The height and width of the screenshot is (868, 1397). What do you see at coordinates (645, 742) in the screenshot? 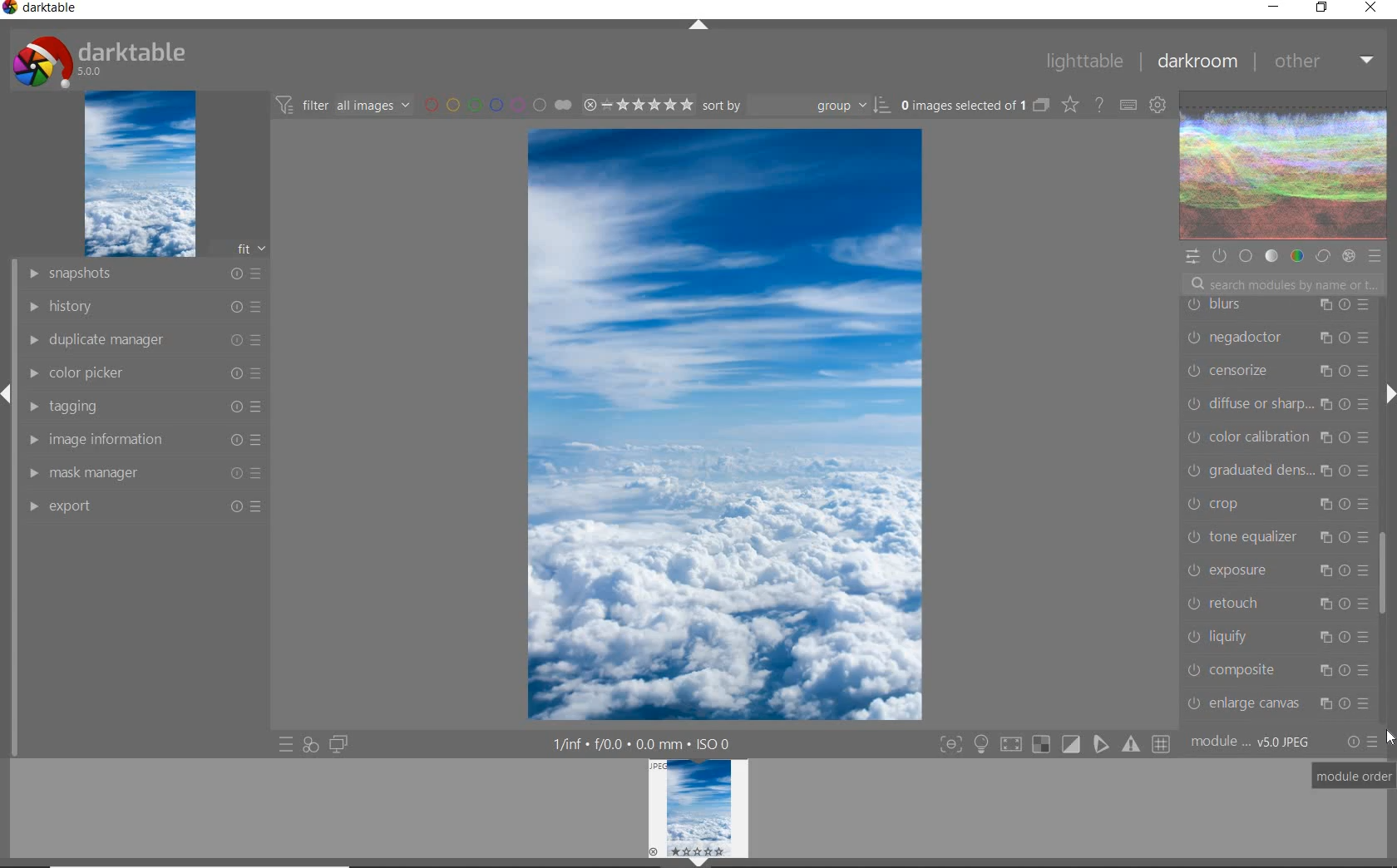
I see `1/inf f/0.0 0.0 mm ISO 0` at bounding box center [645, 742].